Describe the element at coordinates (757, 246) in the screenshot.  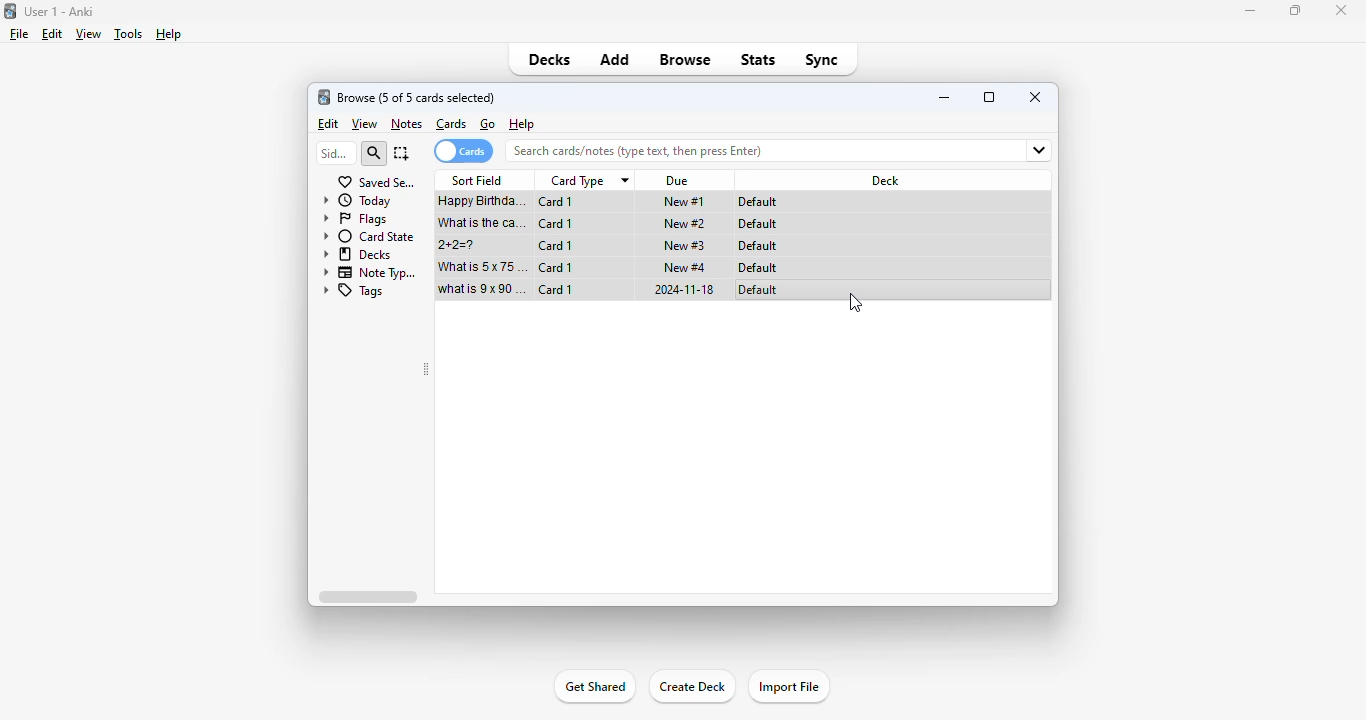
I see `default` at that location.